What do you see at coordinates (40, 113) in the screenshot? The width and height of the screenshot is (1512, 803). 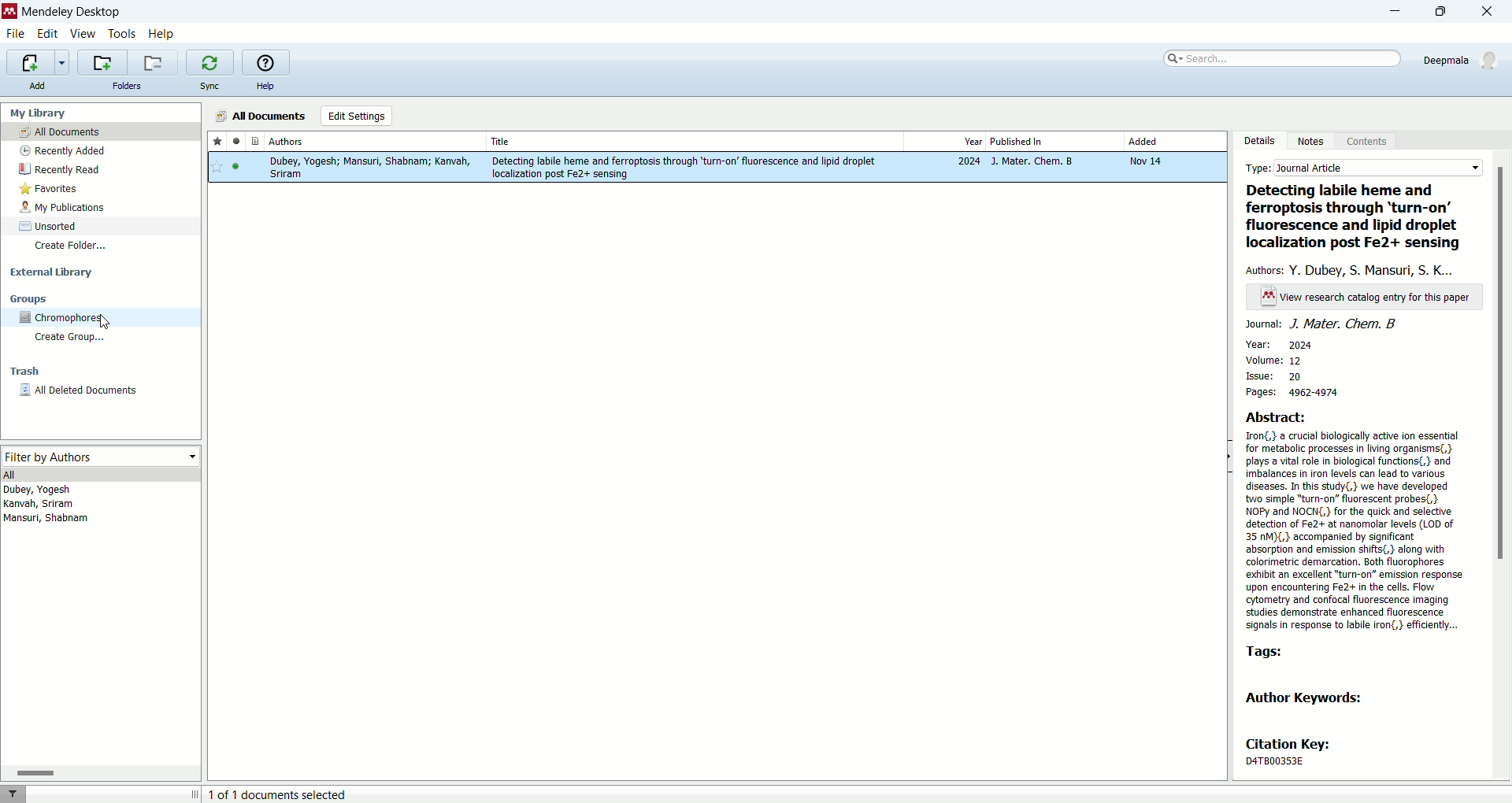 I see `my library` at bounding box center [40, 113].